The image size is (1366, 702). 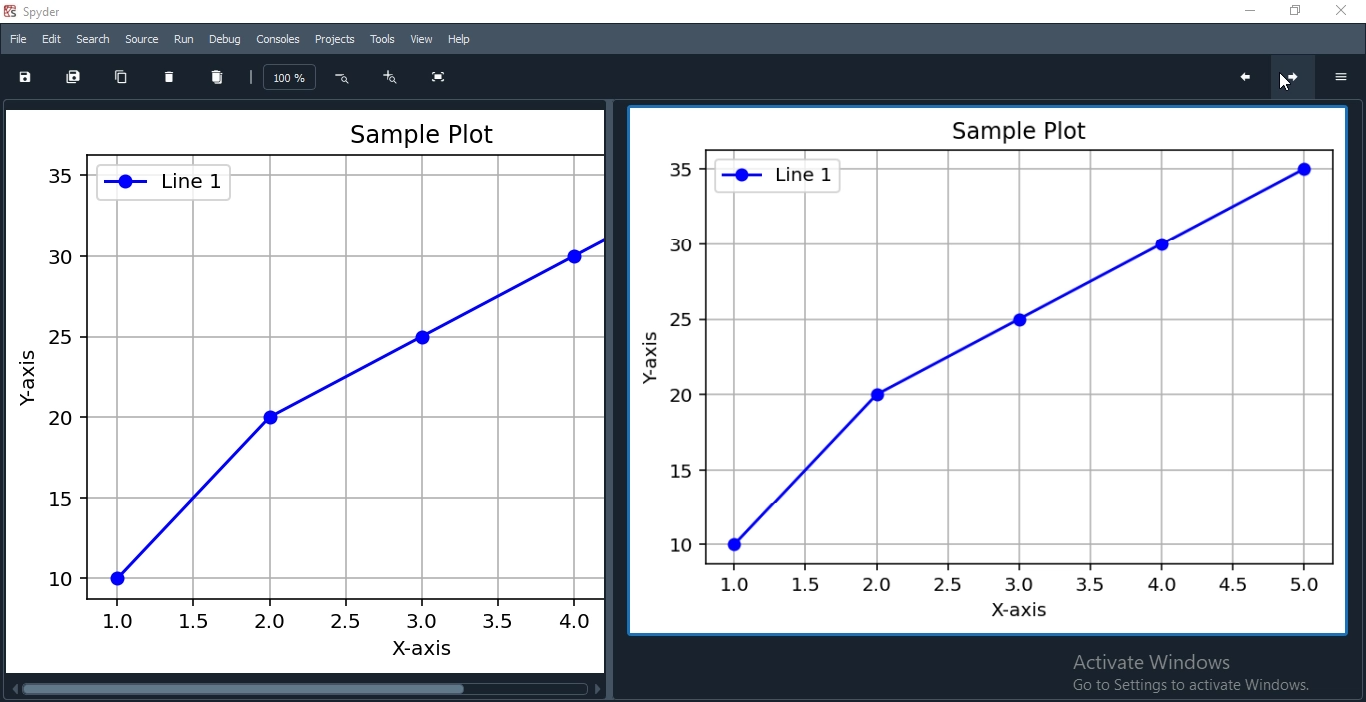 What do you see at coordinates (291, 77) in the screenshot?
I see `zoom` at bounding box center [291, 77].